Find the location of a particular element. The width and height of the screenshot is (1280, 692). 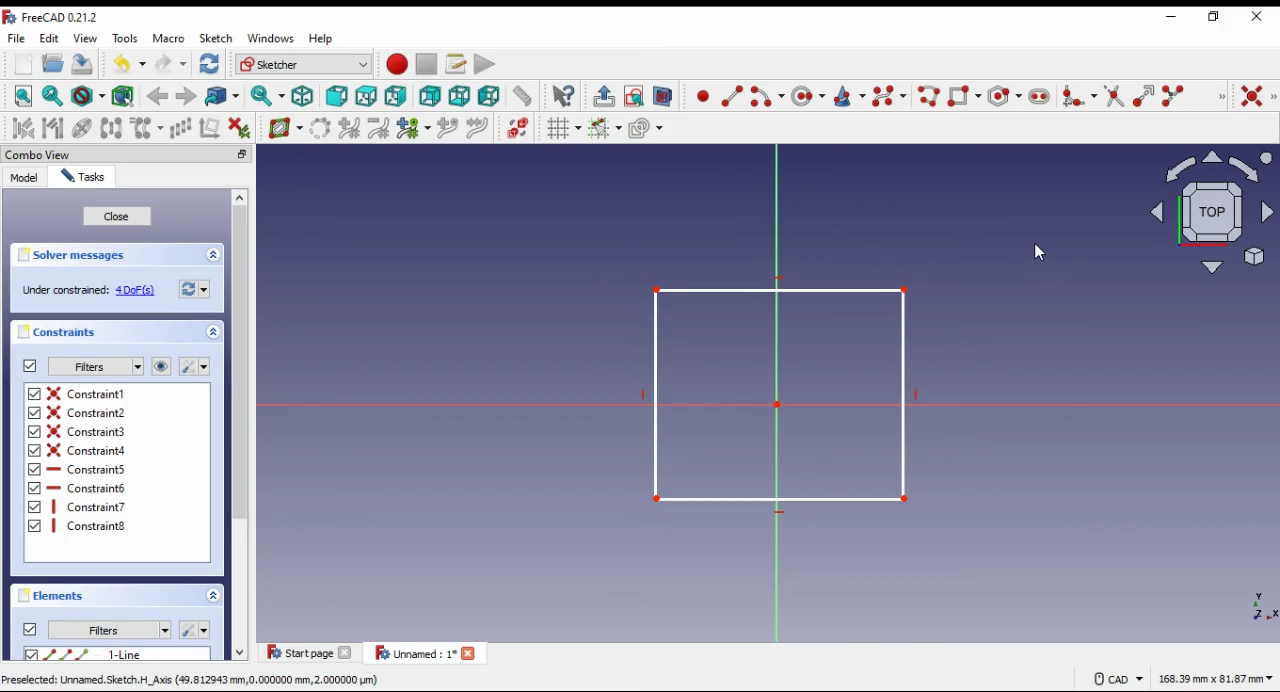

view is located at coordinates (87, 38).